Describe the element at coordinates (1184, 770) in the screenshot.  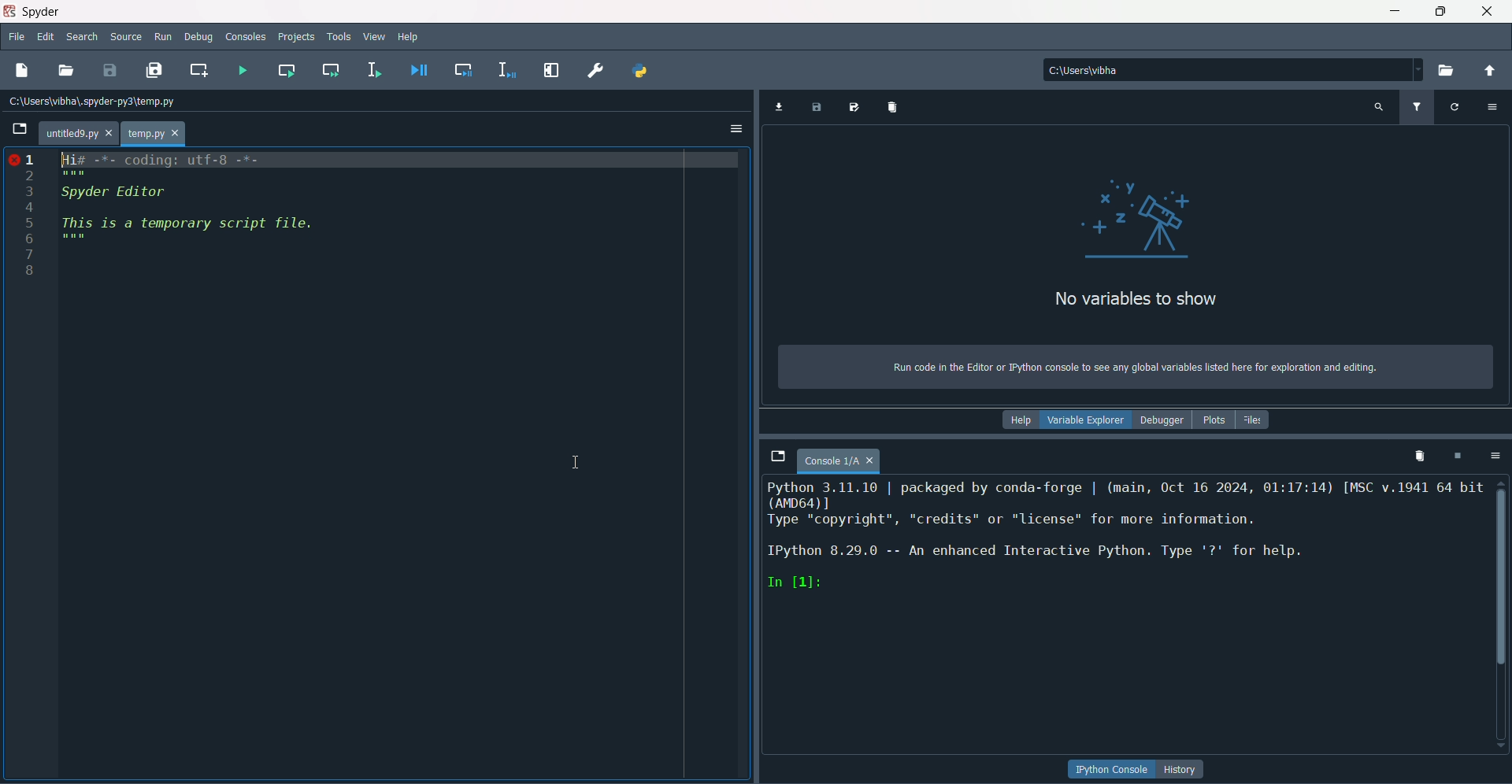
I see `history` at that location.